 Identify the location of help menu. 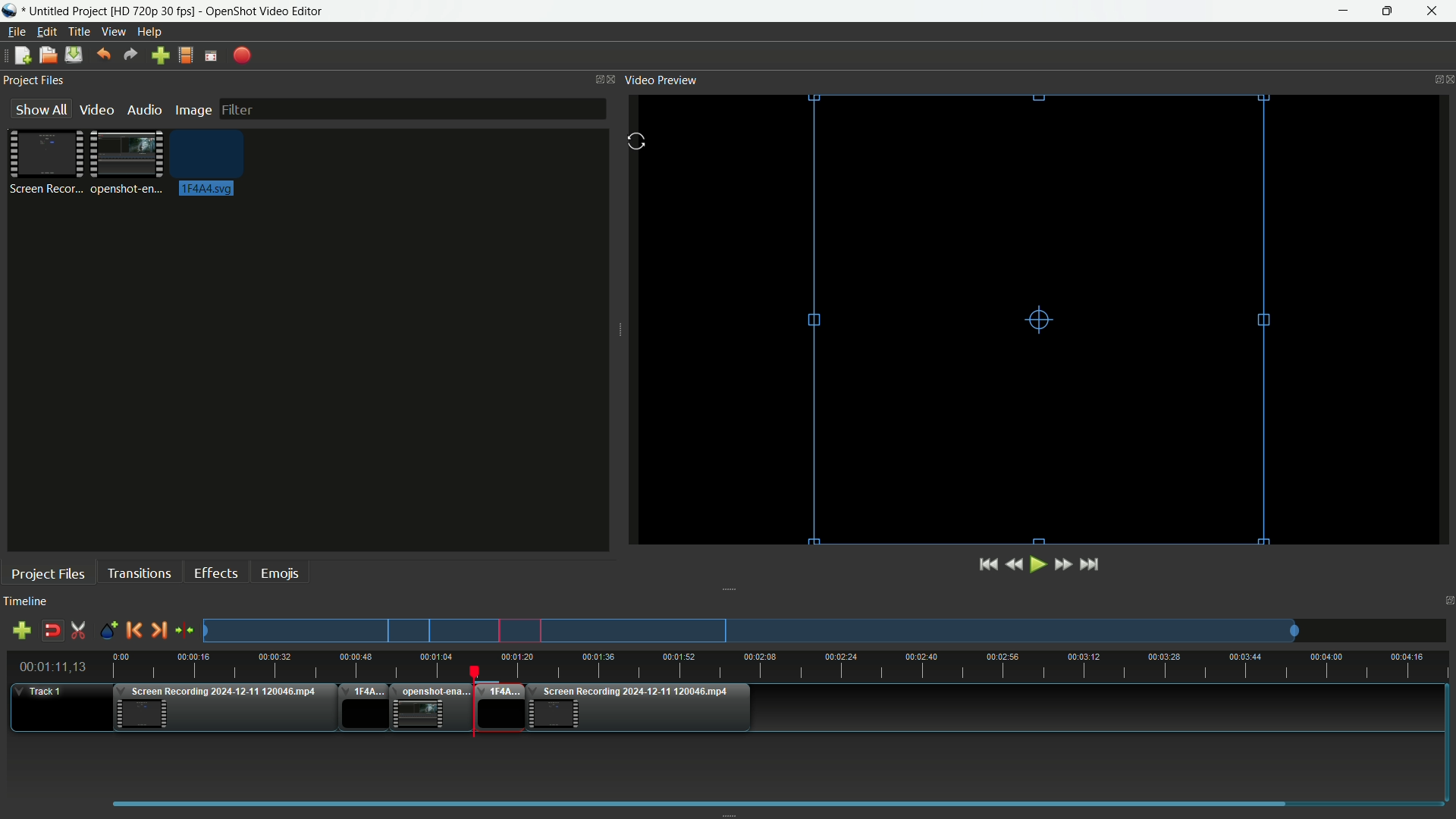
(151, 33).